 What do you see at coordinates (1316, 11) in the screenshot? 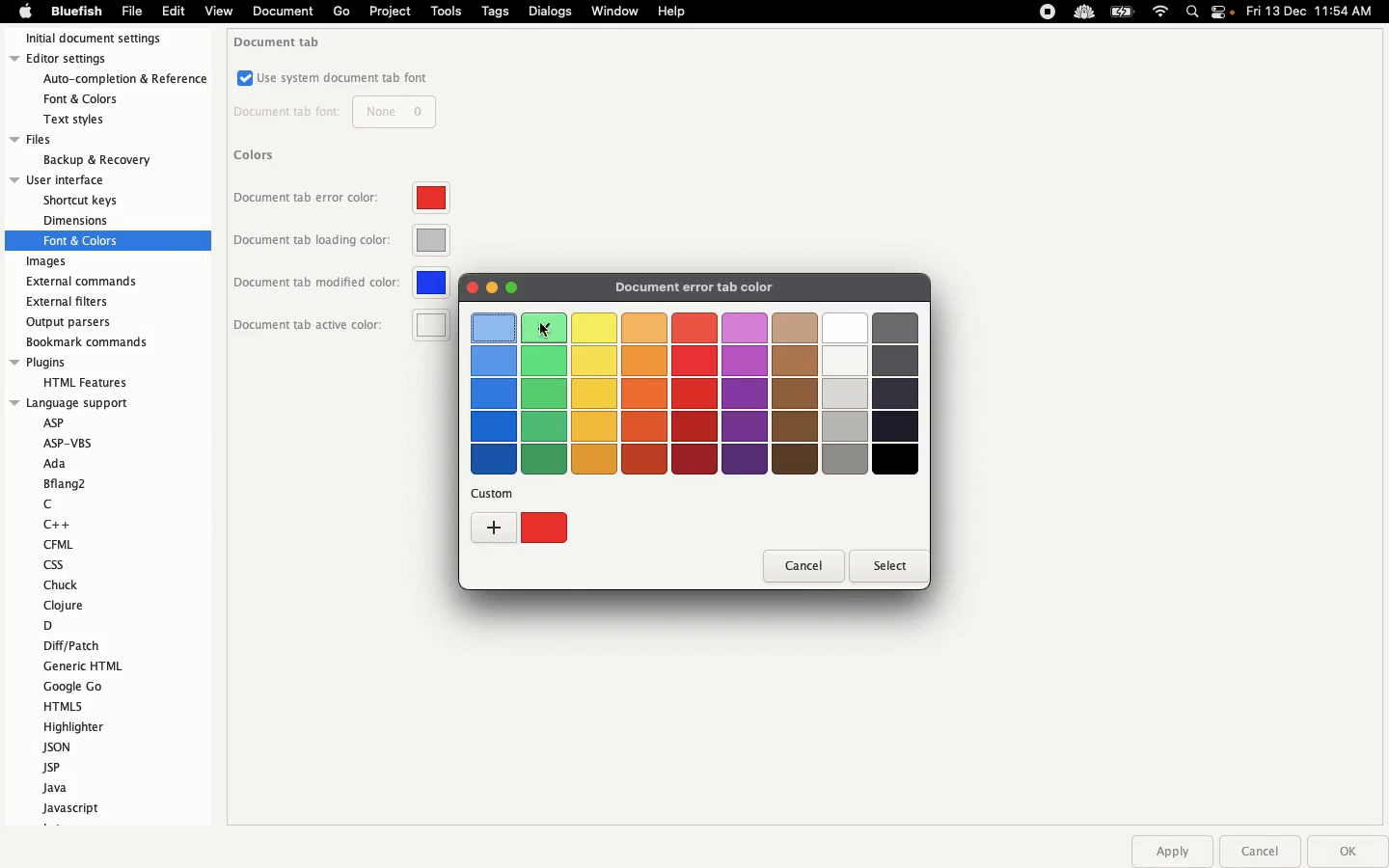
I see `Date time` at bounding box center [1316, 11].